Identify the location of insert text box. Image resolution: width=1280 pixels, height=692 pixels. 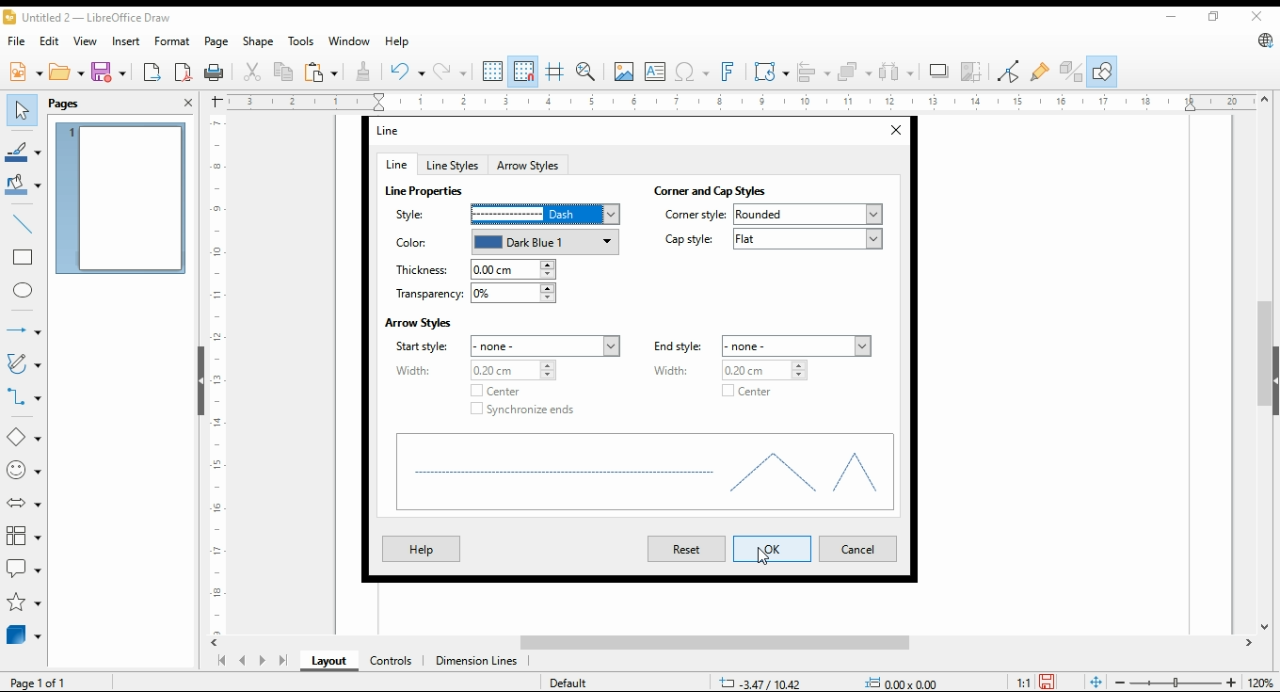
(655, 71).